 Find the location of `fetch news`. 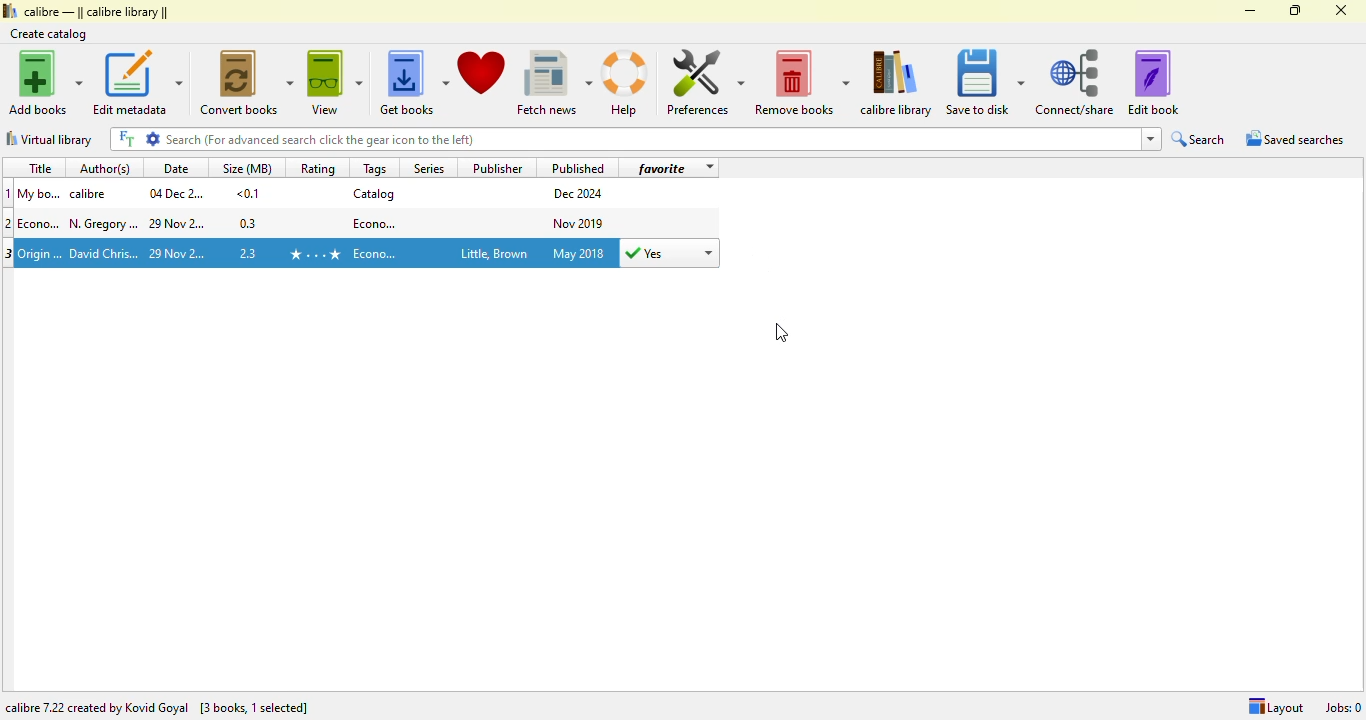

fetch news is located at coordinates (554, 83).